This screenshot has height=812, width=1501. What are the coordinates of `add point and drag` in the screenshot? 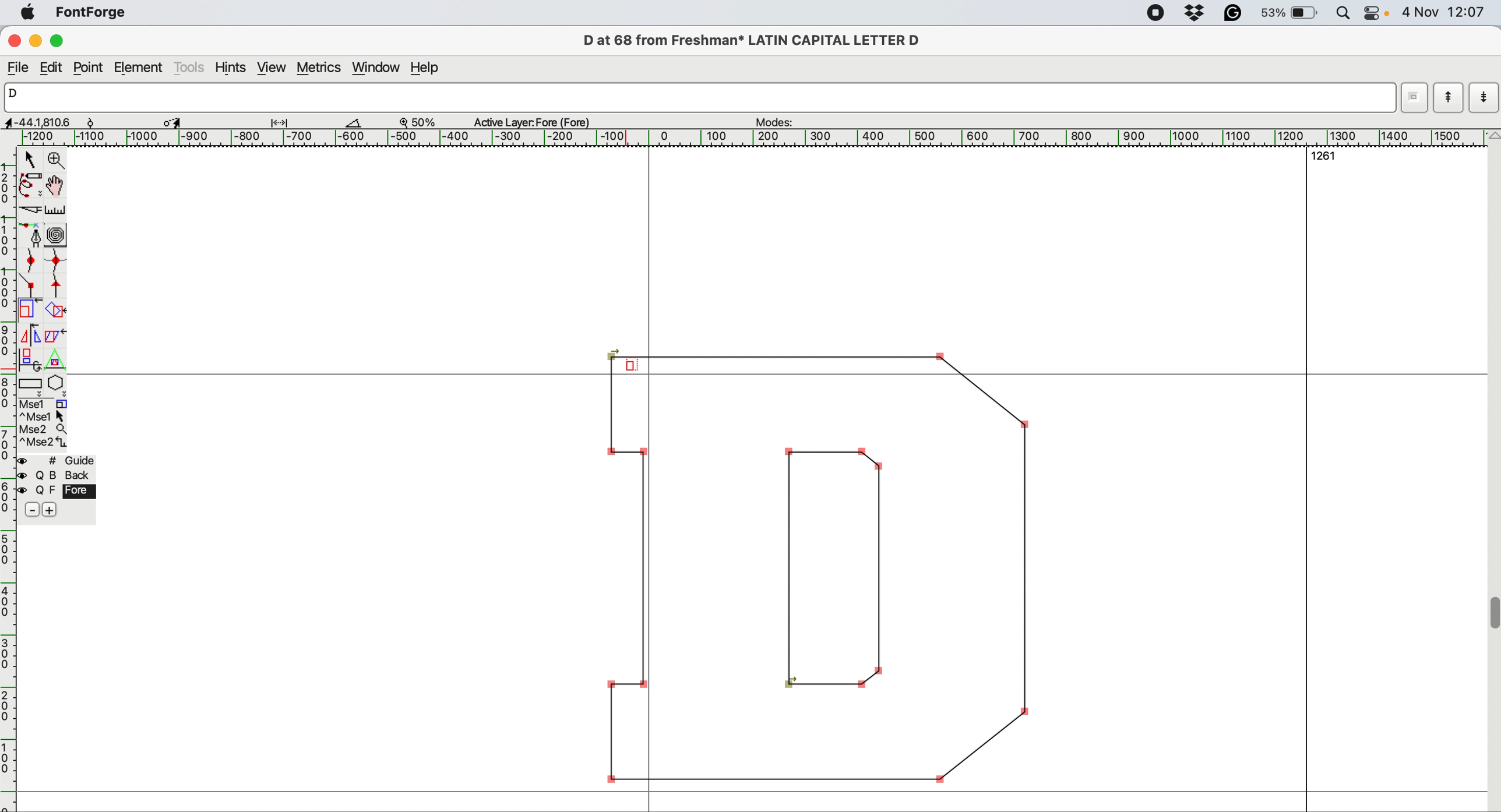 It's located at (29, 234).